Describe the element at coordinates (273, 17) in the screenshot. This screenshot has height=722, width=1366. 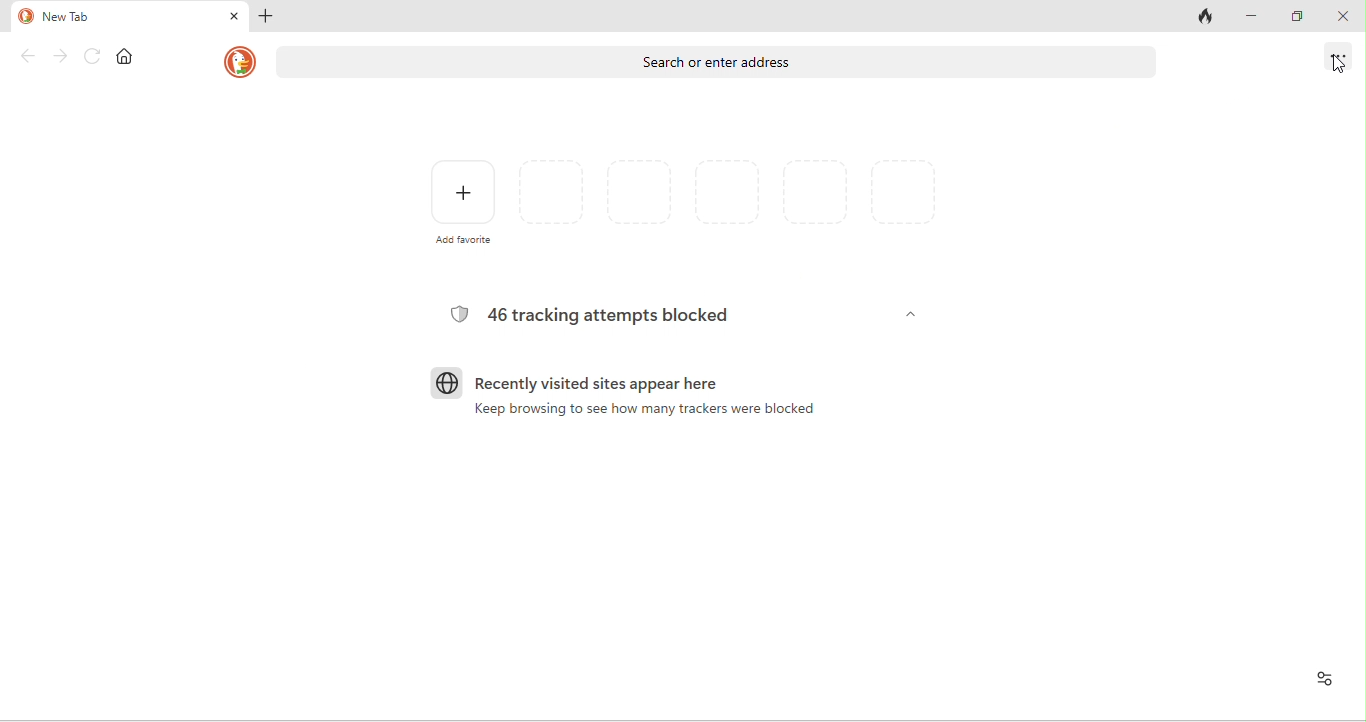
I see `add` at that location.